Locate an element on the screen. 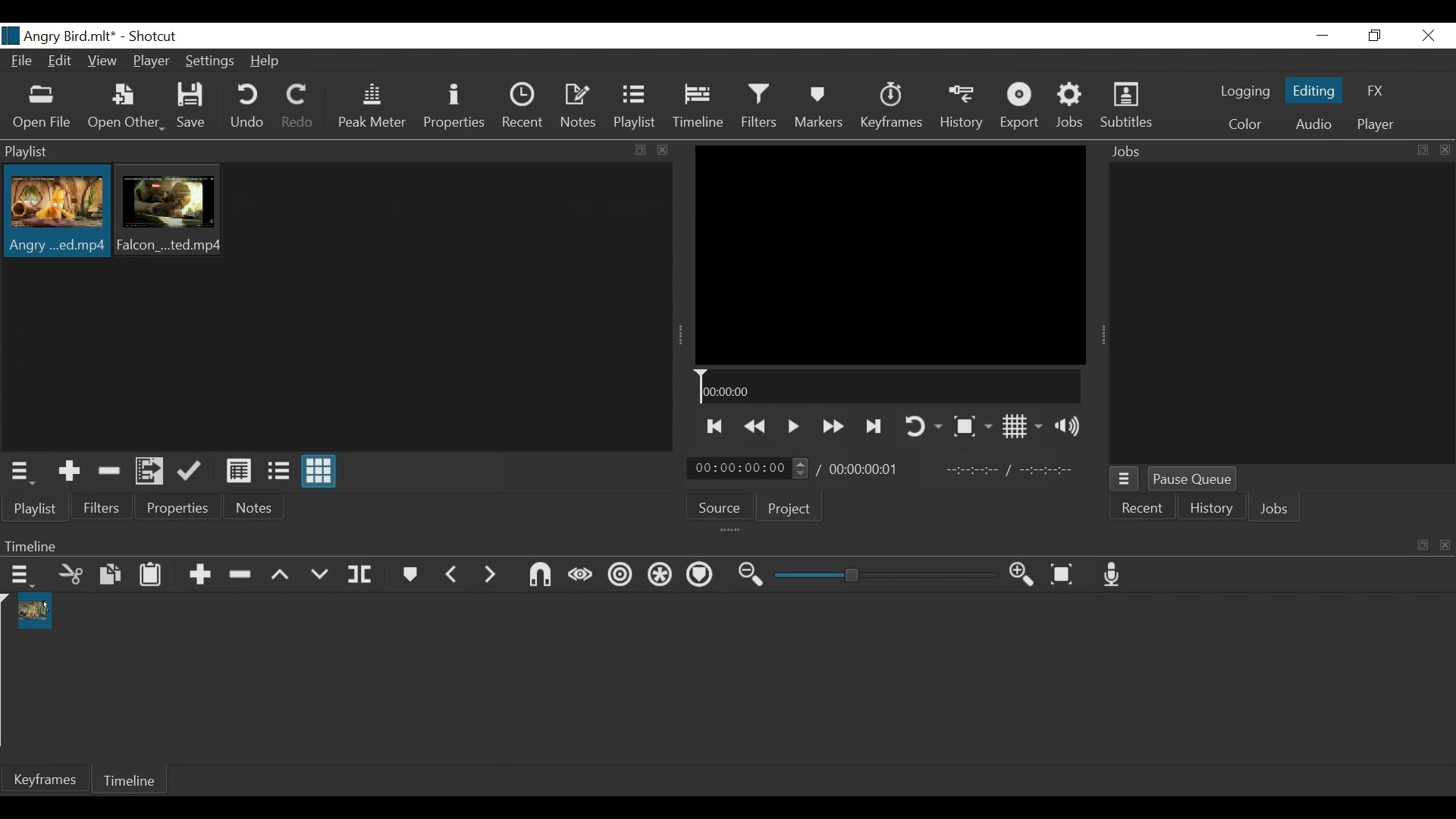 Image resolution: width=1456 pixels, height=819 pixels. Playlist is located at coordinates (638, 108).